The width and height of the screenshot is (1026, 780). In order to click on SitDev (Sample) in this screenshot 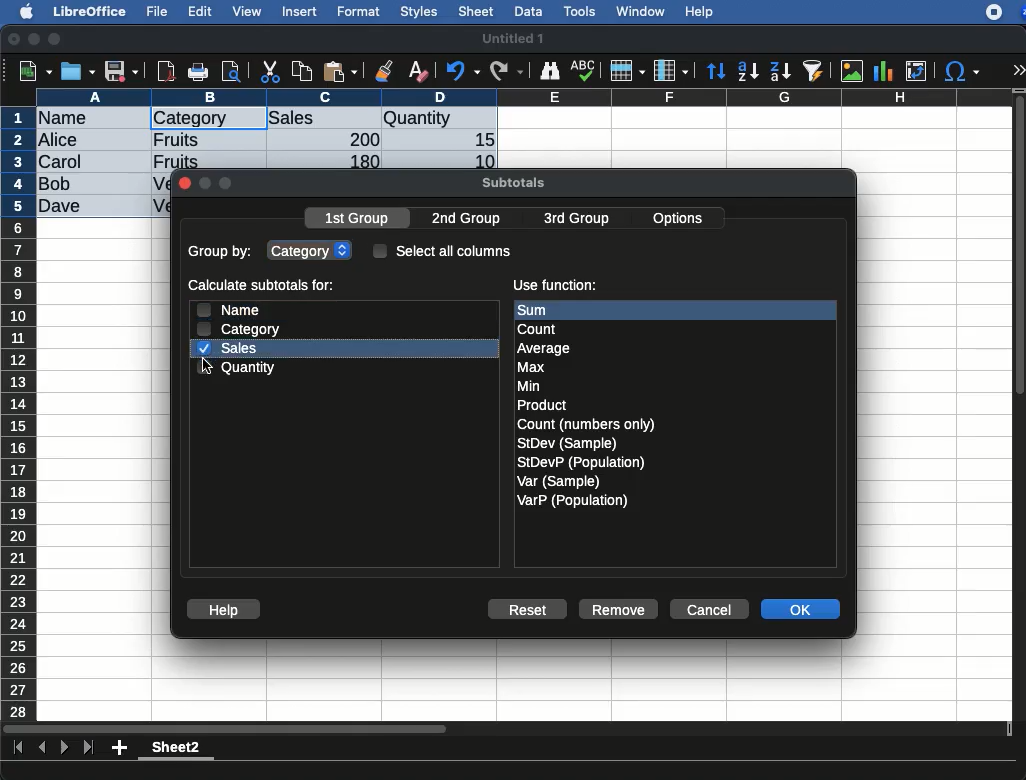, I will do `click(568, 443)`.